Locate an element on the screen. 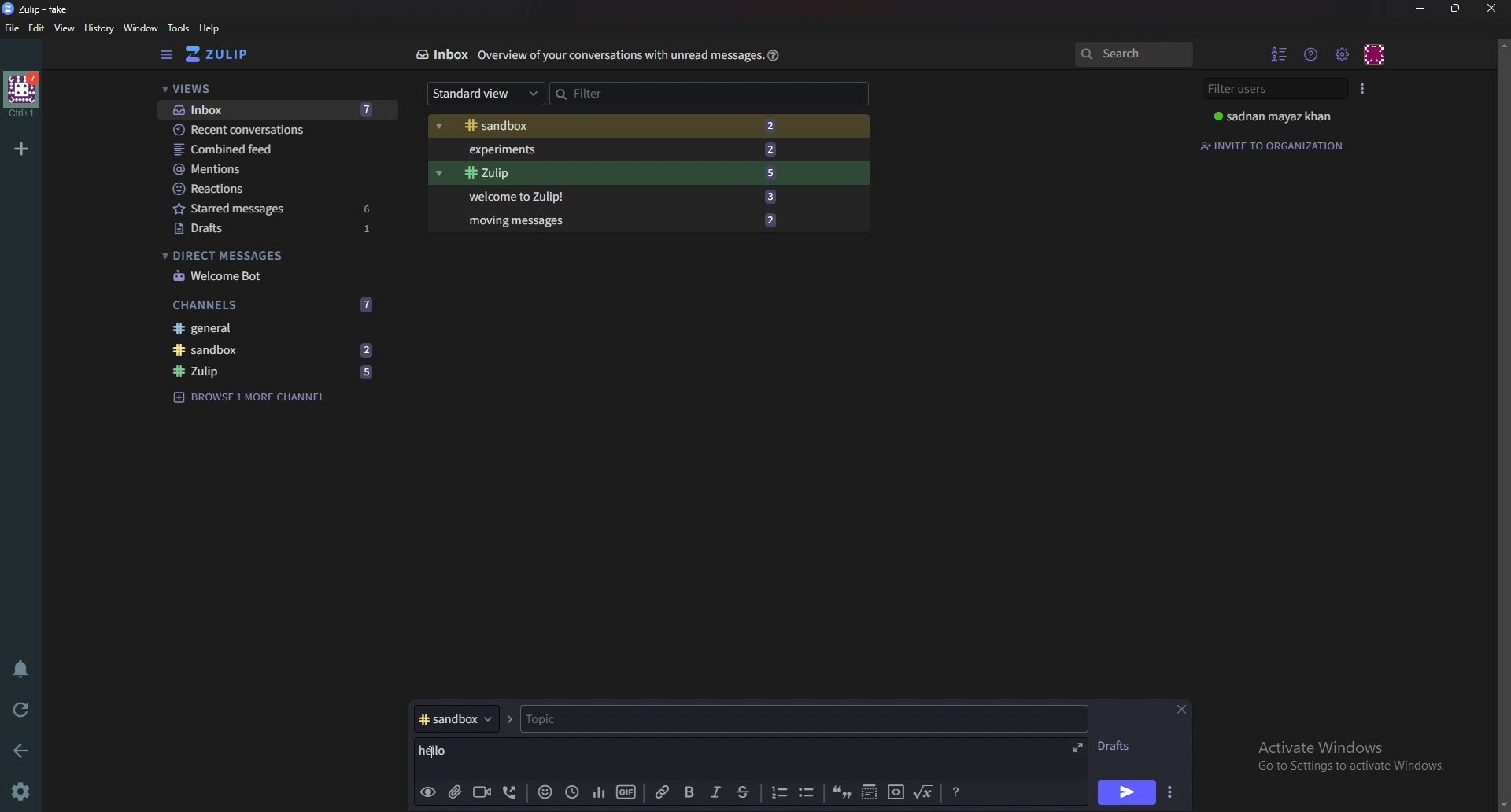 This screenshot has height=812, width=1511. Spoiler is located at coordinates (870, 793).